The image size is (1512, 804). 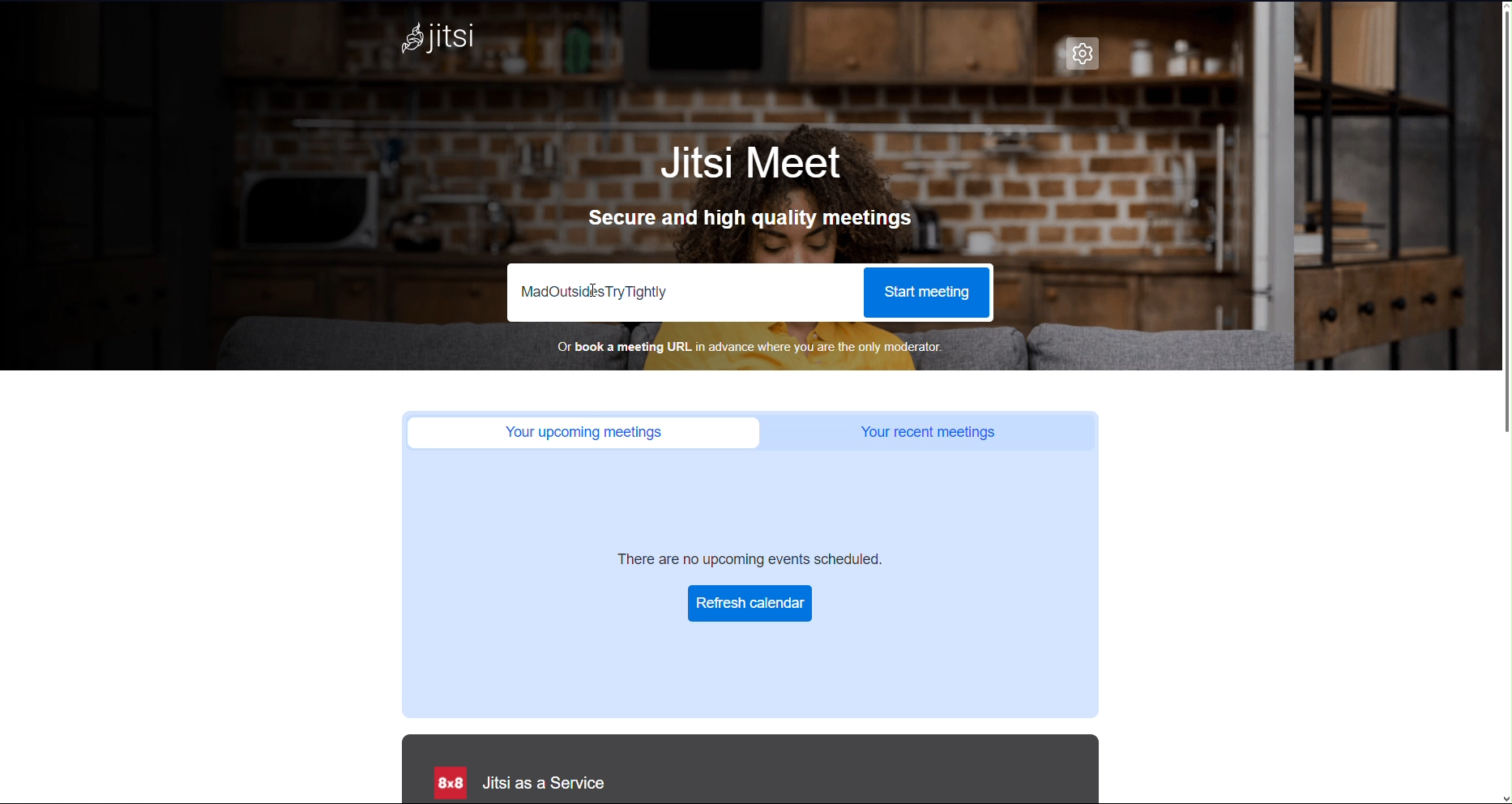 What do you see at coordinates (753, 558) in the screenshot?
I see `There are no upcoming events scheduled` at bounding box center [753, 558].